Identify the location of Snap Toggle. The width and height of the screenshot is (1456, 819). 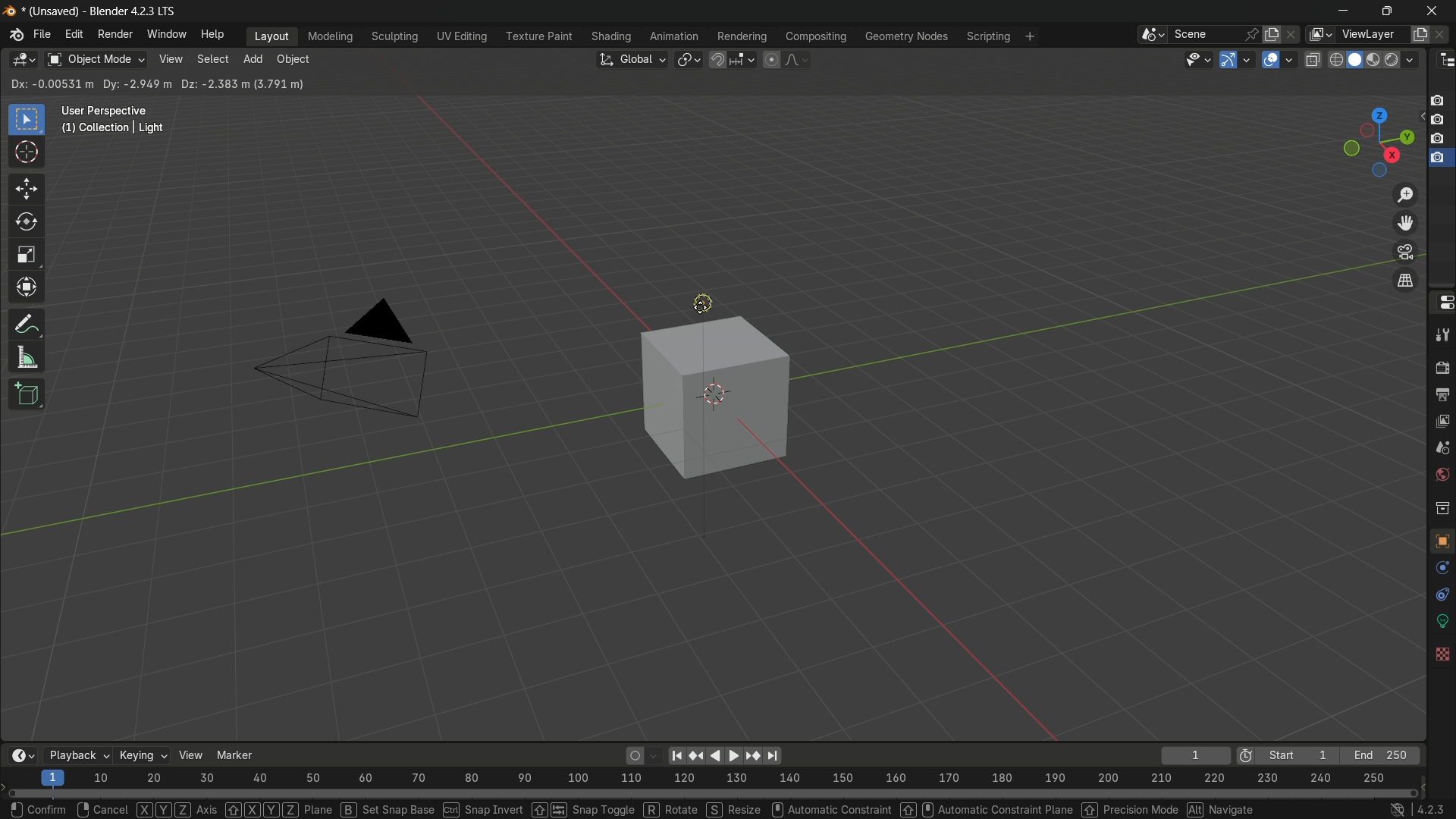
(581, 808).